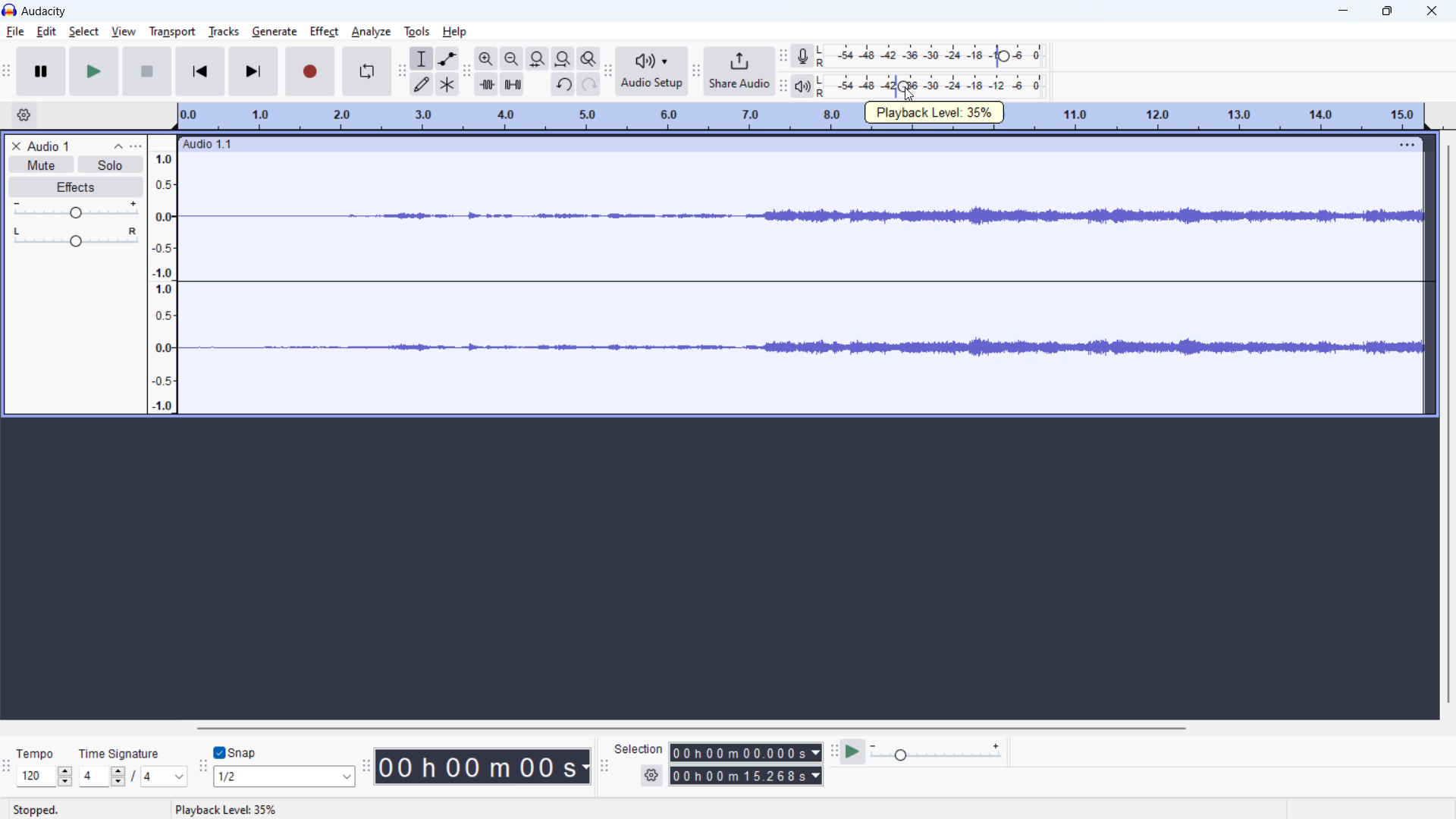  Describe the element at coordinates (366, 72) in the screenshot. I see `enable looping` at that location.